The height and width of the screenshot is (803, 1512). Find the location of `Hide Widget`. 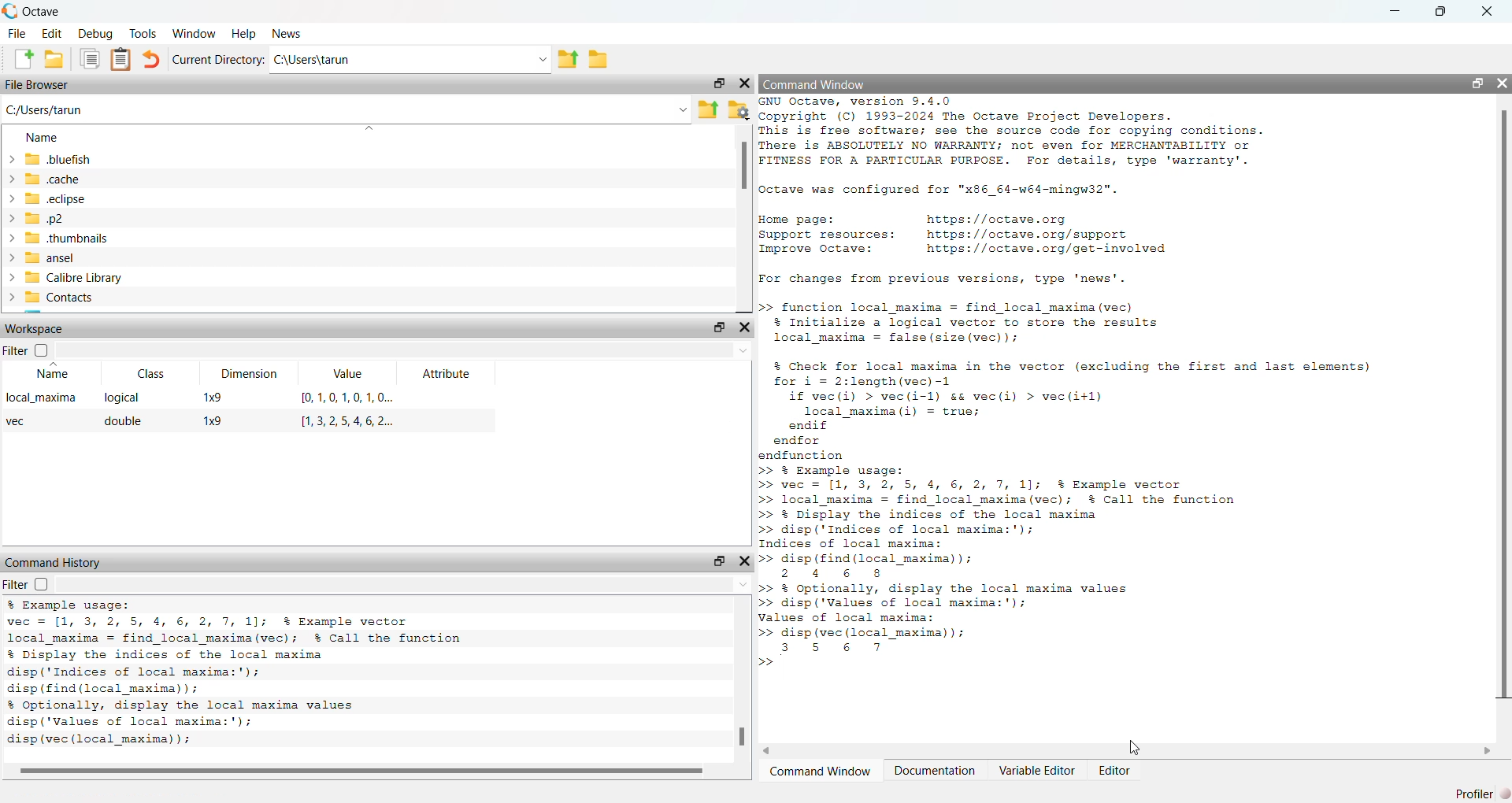

Hide Widget is located at coordinates (744, 83).